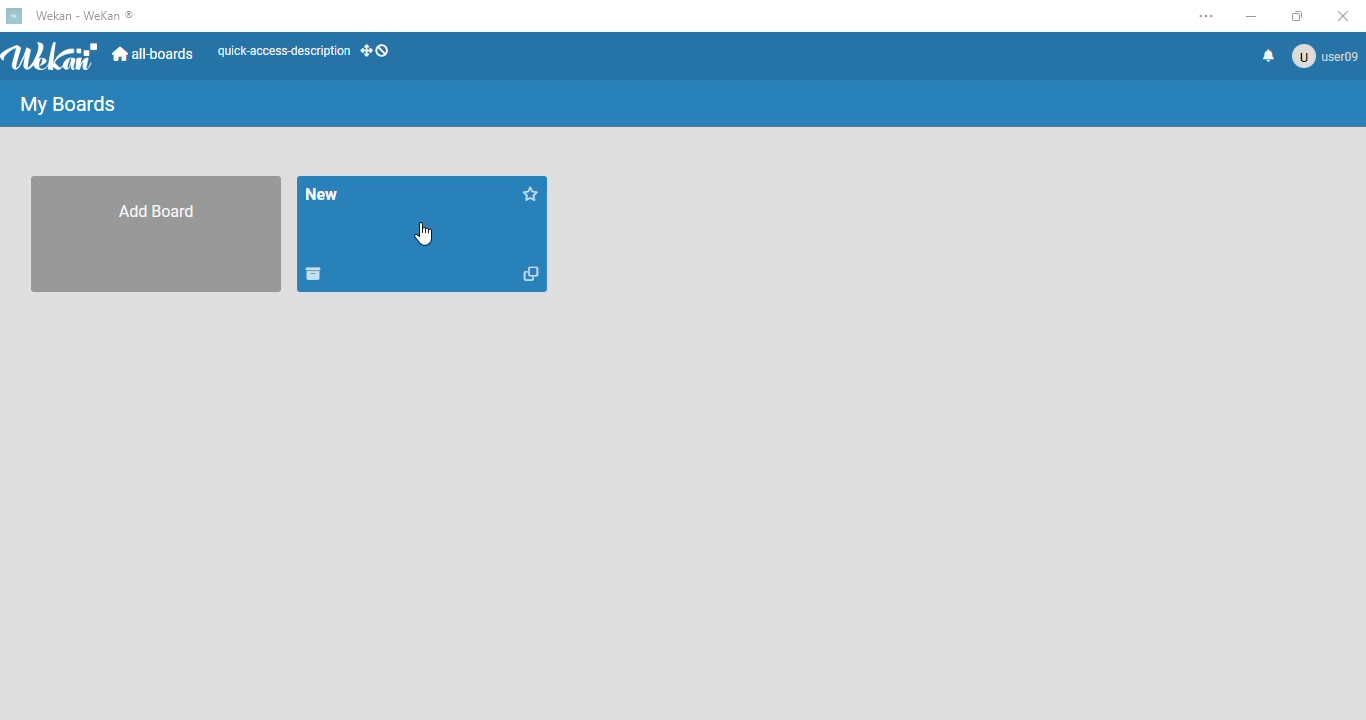 The width and height of the screenshot is (1366, 720). What do you see at coordinates (1207, 16) in the screenshot?
I see `settings and more` at bounding box center [1207, 16].